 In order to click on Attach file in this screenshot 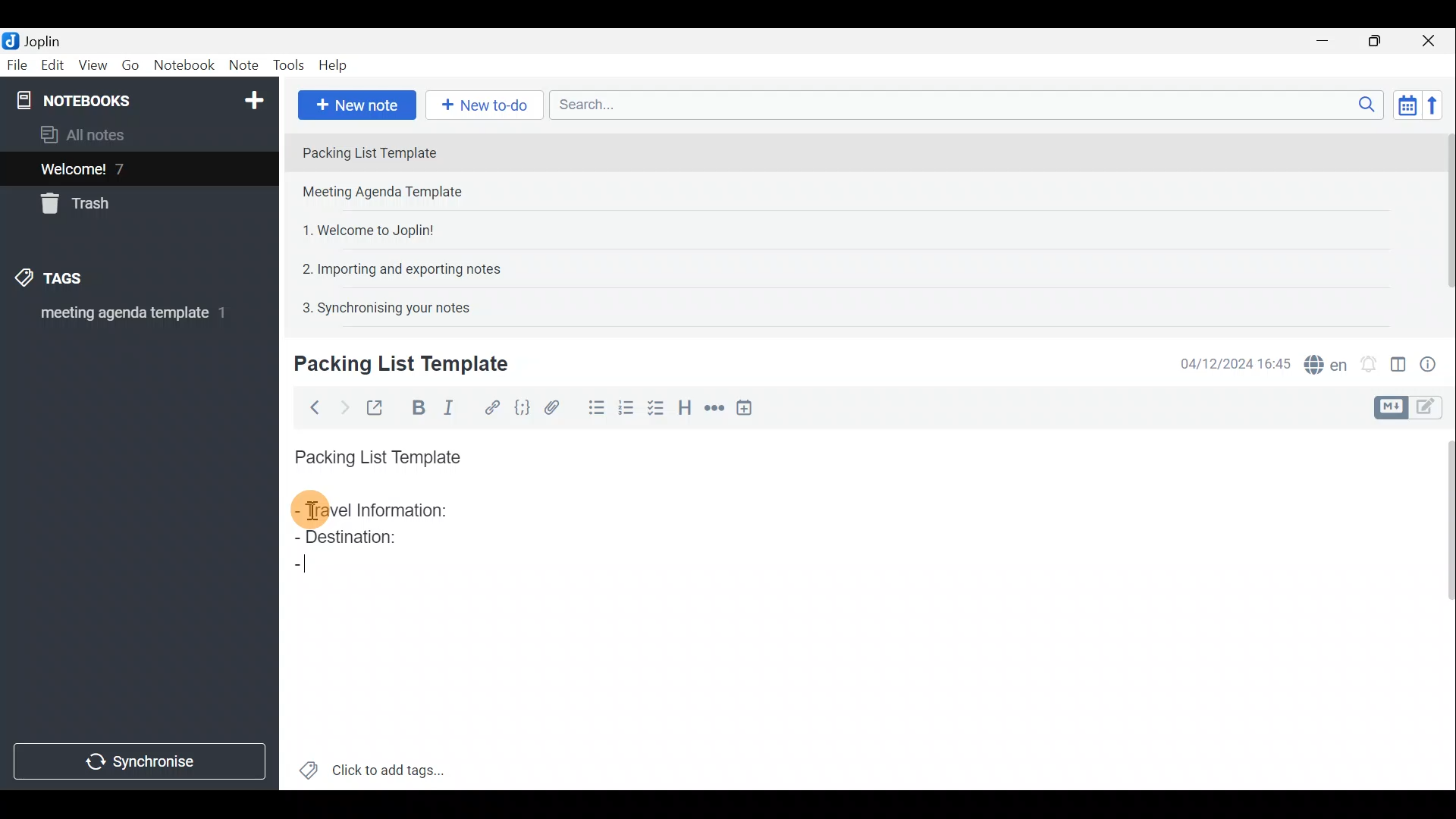, I will do `click(552, 406)`.